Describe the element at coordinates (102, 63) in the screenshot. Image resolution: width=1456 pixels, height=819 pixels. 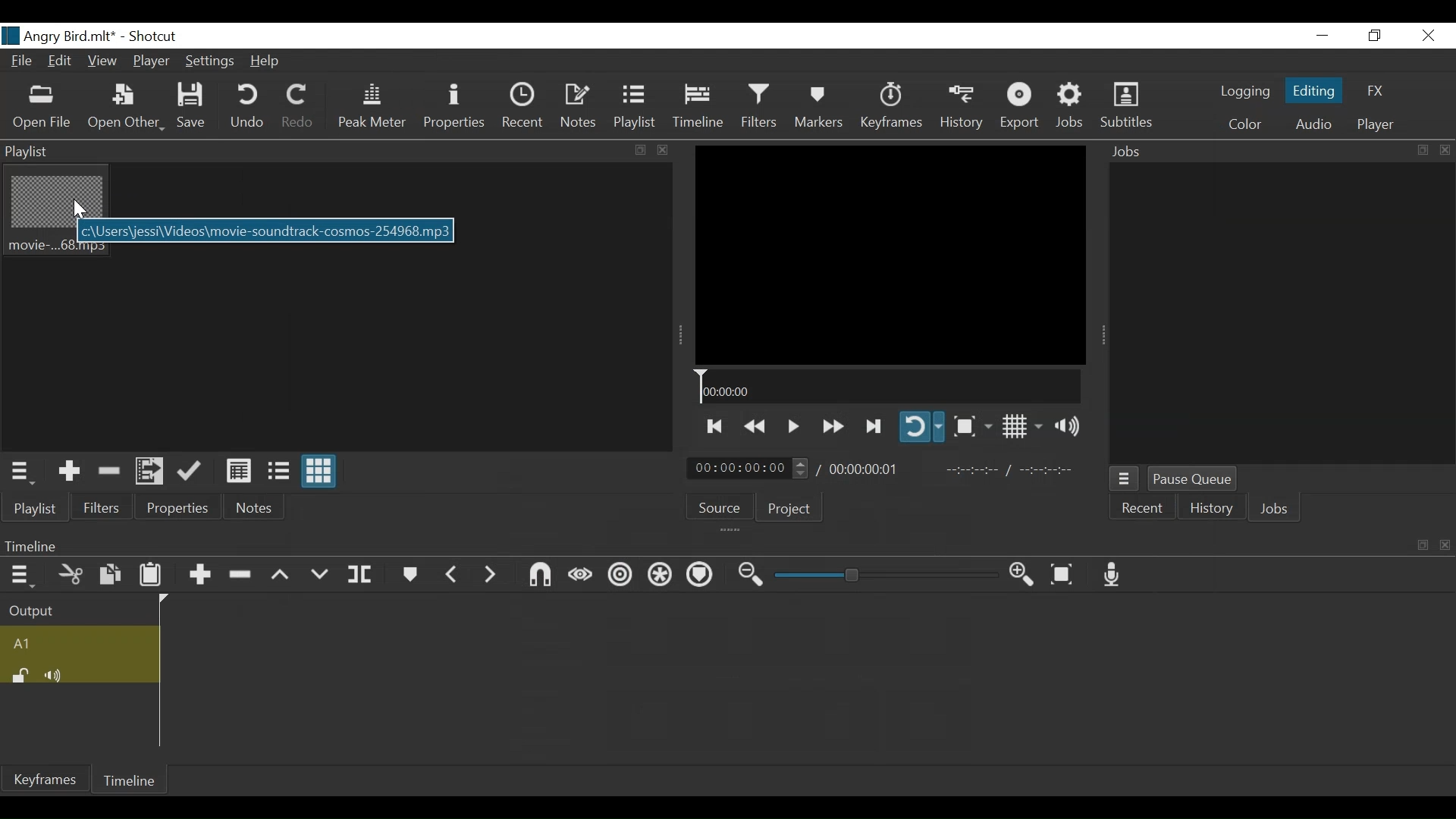
I see `View` at that location.